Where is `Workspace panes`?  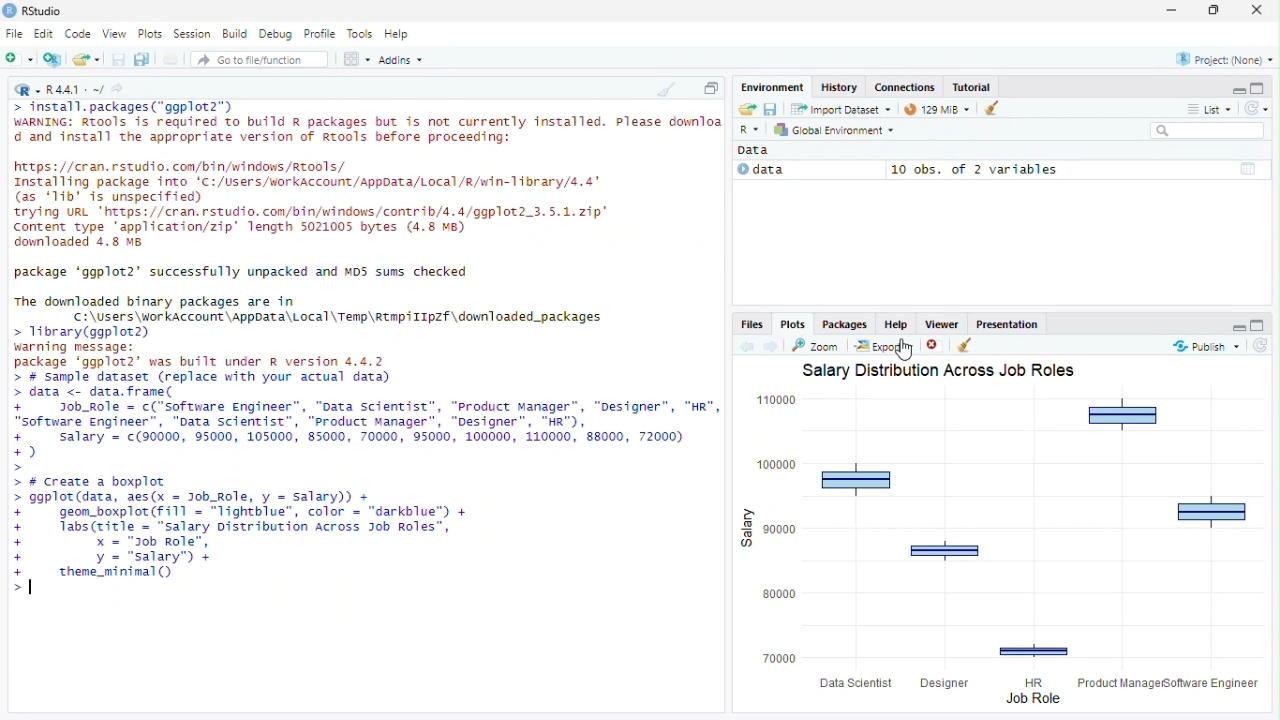 Workspace panes is located at coordinates (356, 58).